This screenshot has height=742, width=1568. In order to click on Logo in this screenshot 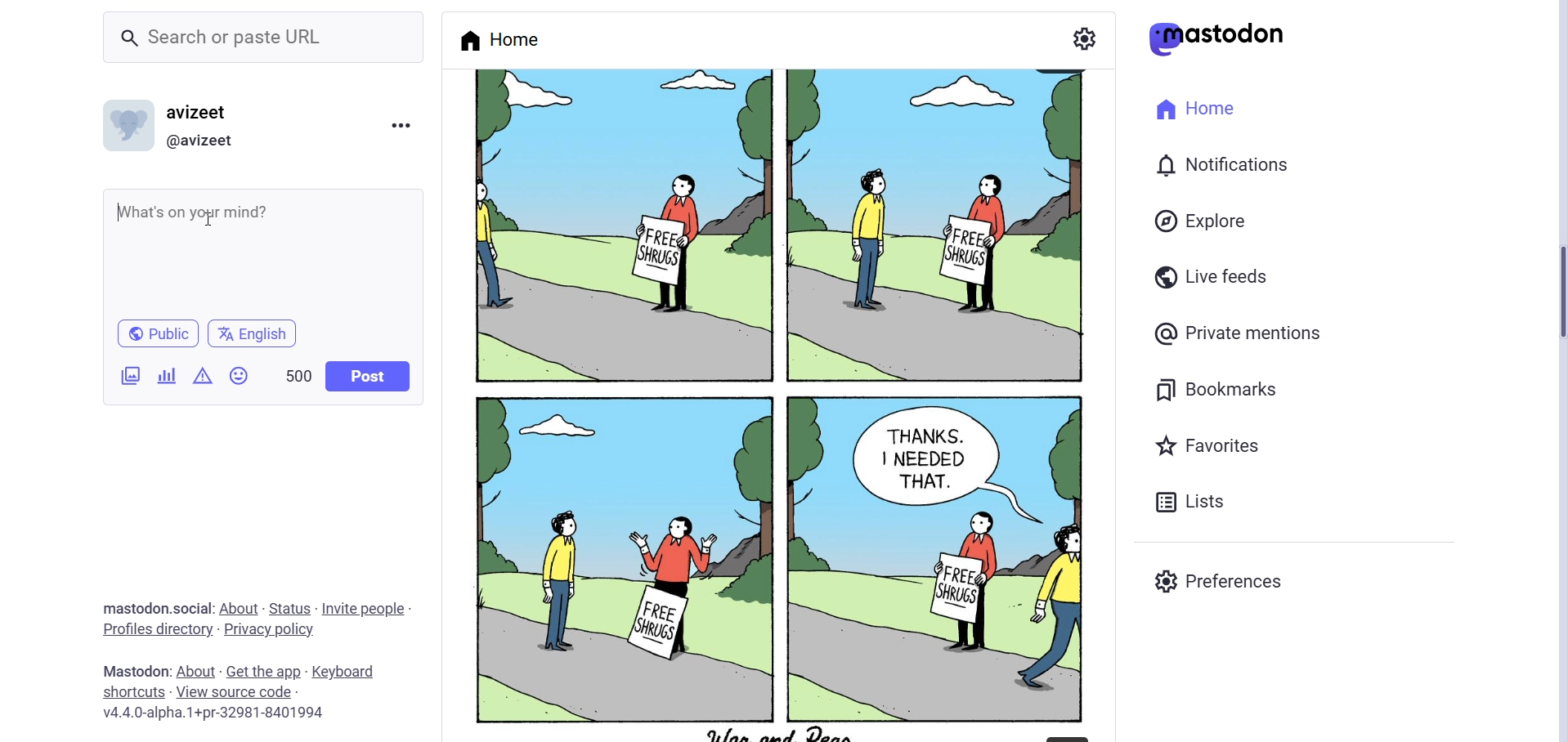, I will do `click(1218, 39)`.